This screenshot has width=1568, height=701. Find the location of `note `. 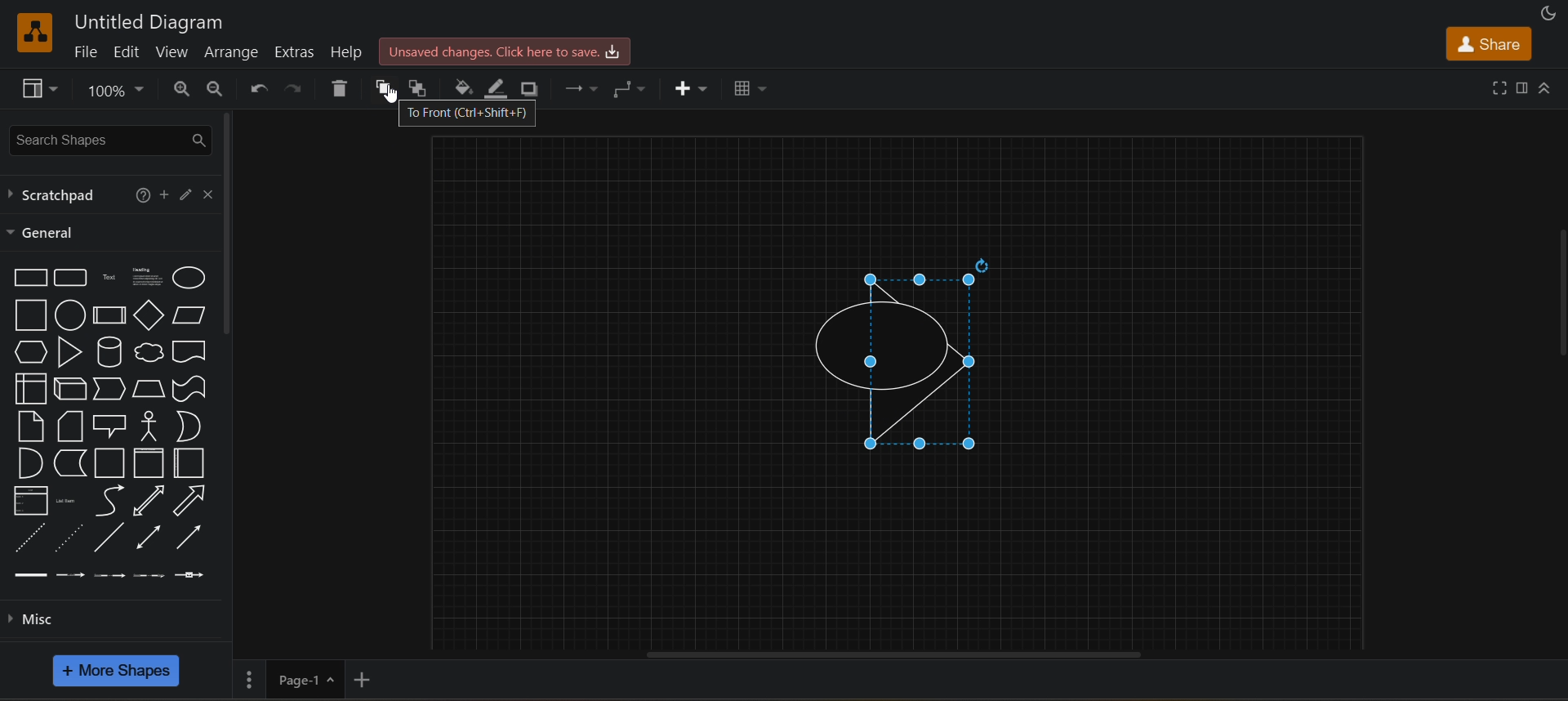

note  is located at coordinates (32, 426).